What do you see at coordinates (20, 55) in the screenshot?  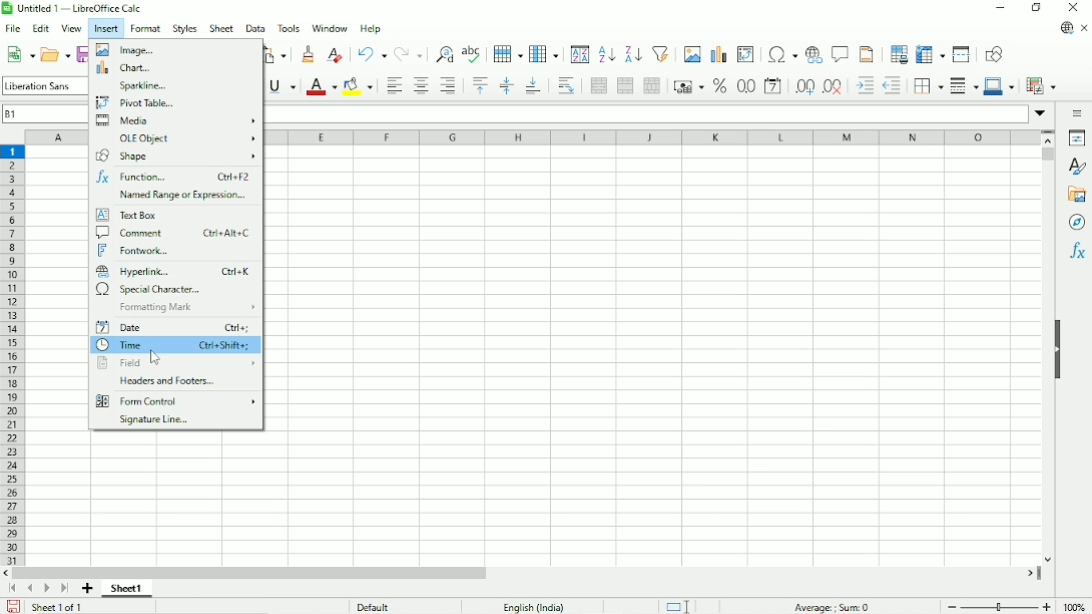 I see `New` at bounding box center [20, 55].